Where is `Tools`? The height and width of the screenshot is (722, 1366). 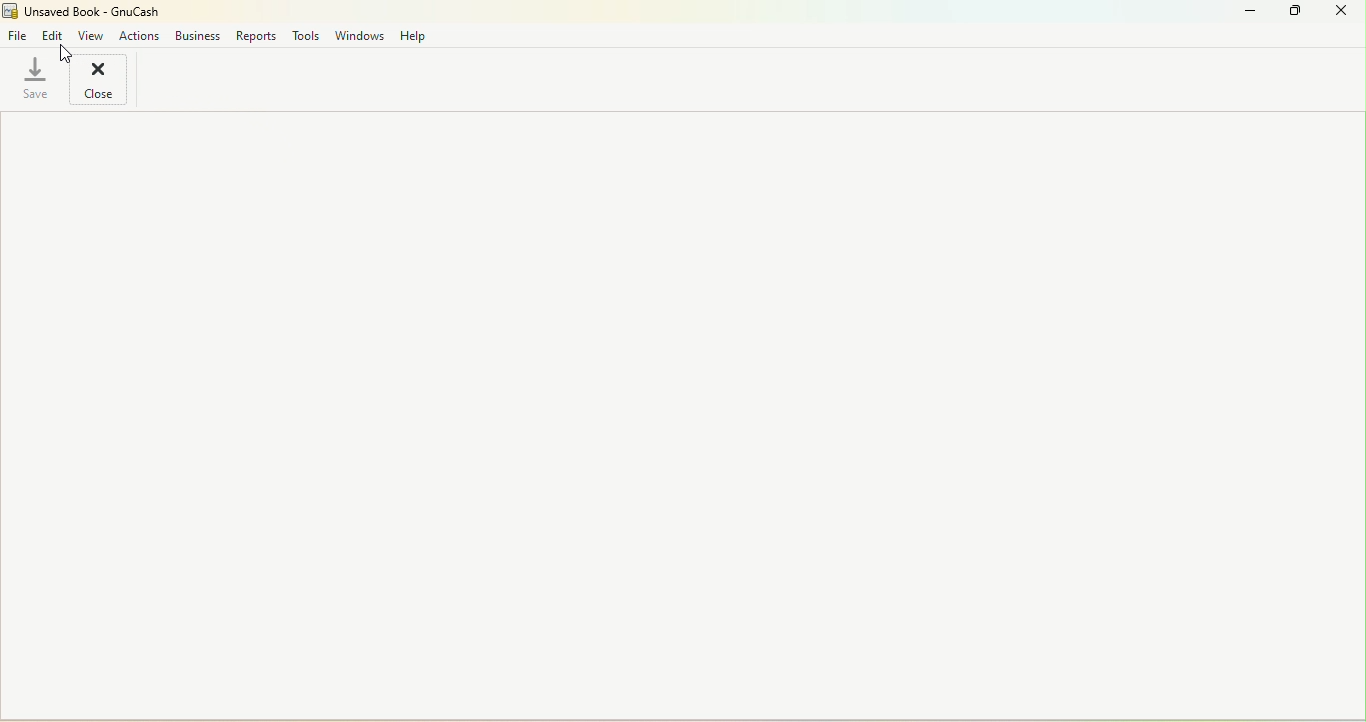
Tools is located at coordinates (307, 36).